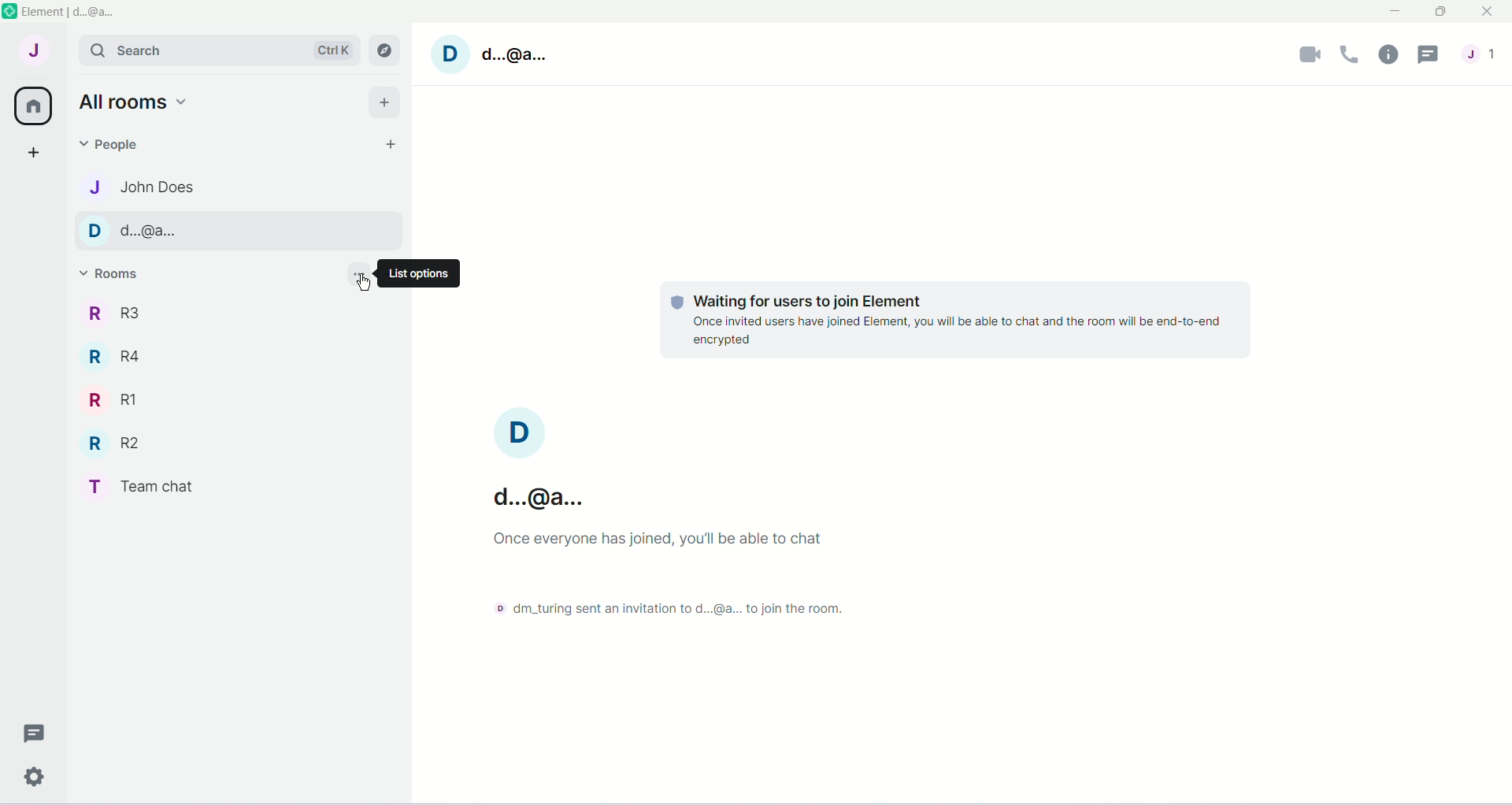 Image resolution: width=1512 pixels, height=805 pixels. I want to click on Room Info, so click(1388, 54).